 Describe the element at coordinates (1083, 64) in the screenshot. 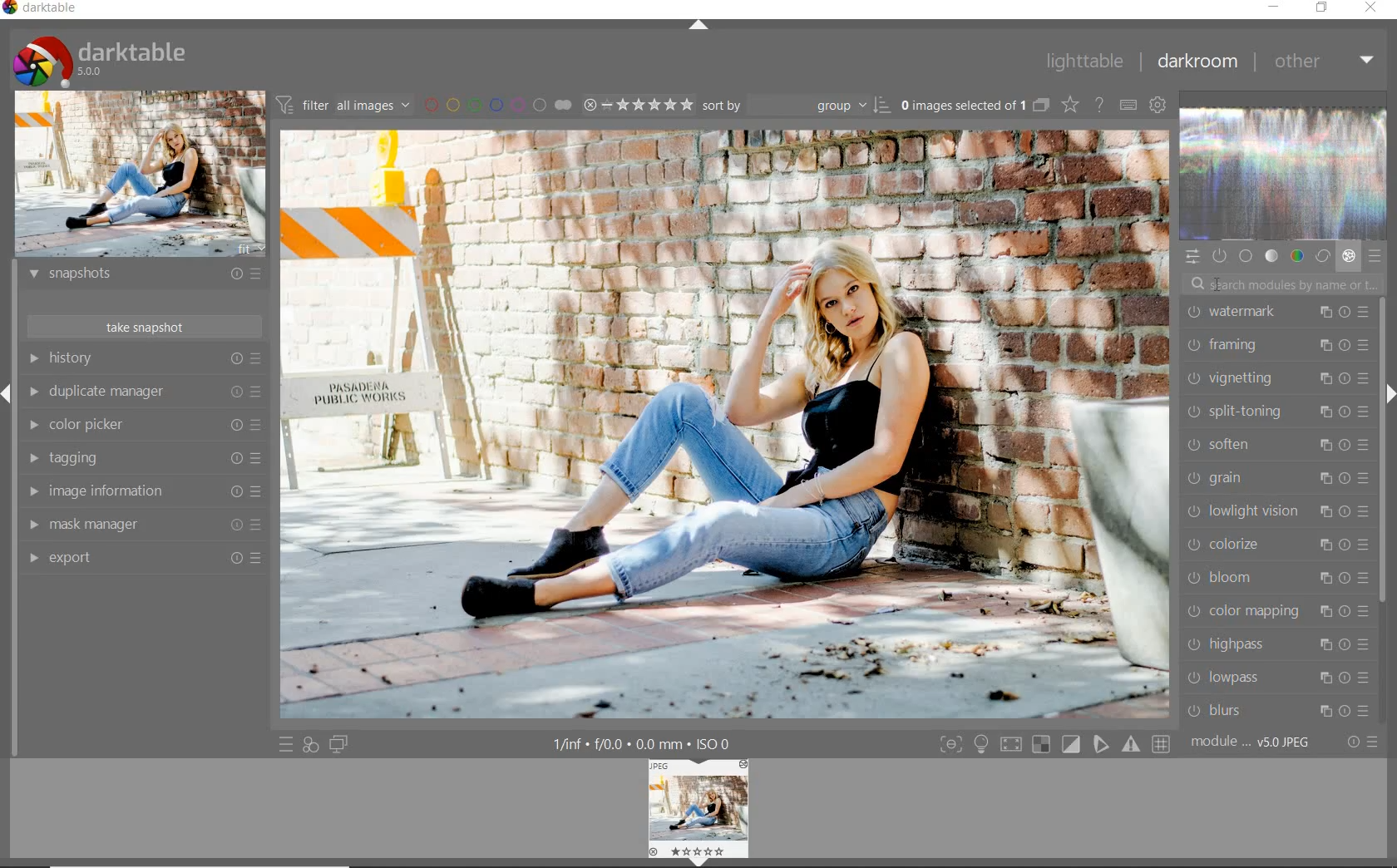

I see `lighttable` at that location.